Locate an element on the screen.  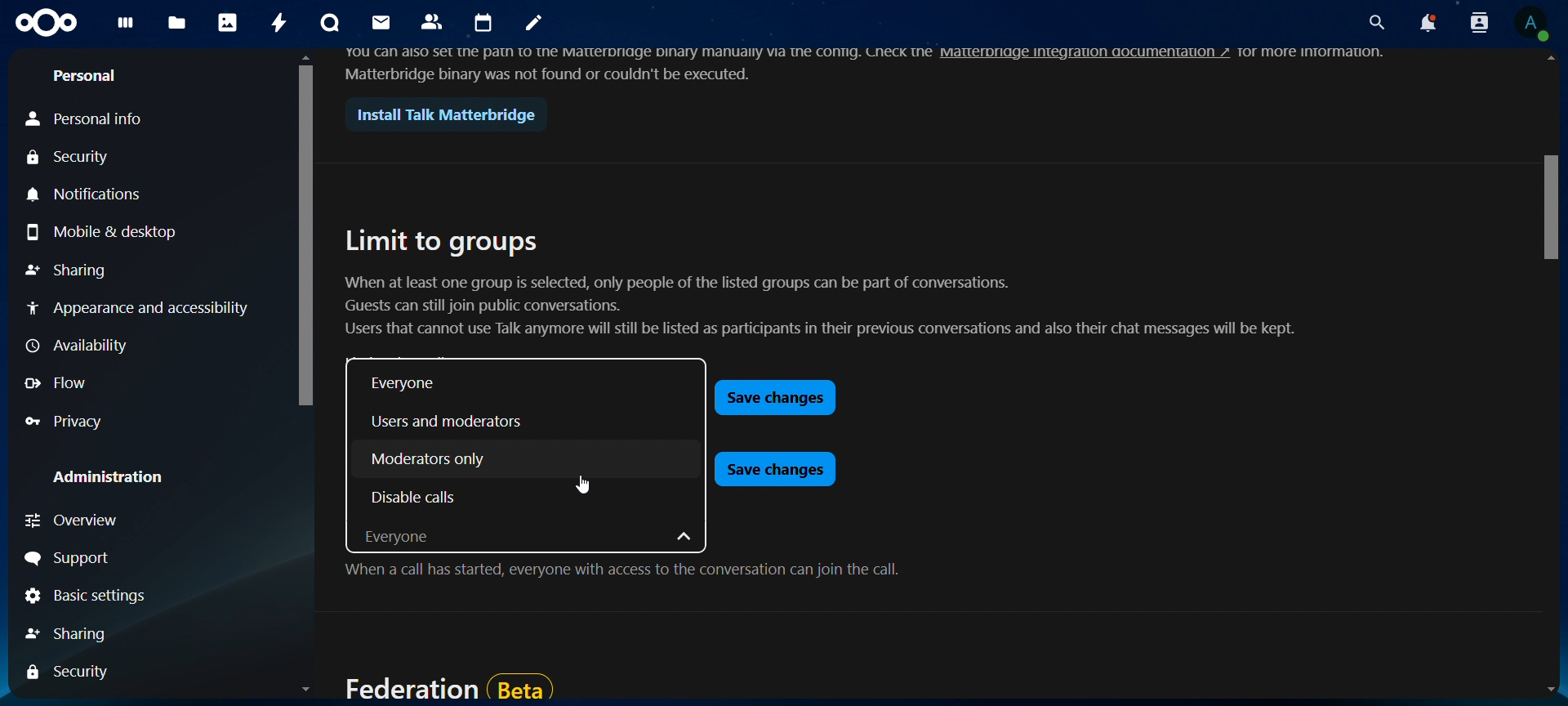
save changes is located at coordinates (773, 395).